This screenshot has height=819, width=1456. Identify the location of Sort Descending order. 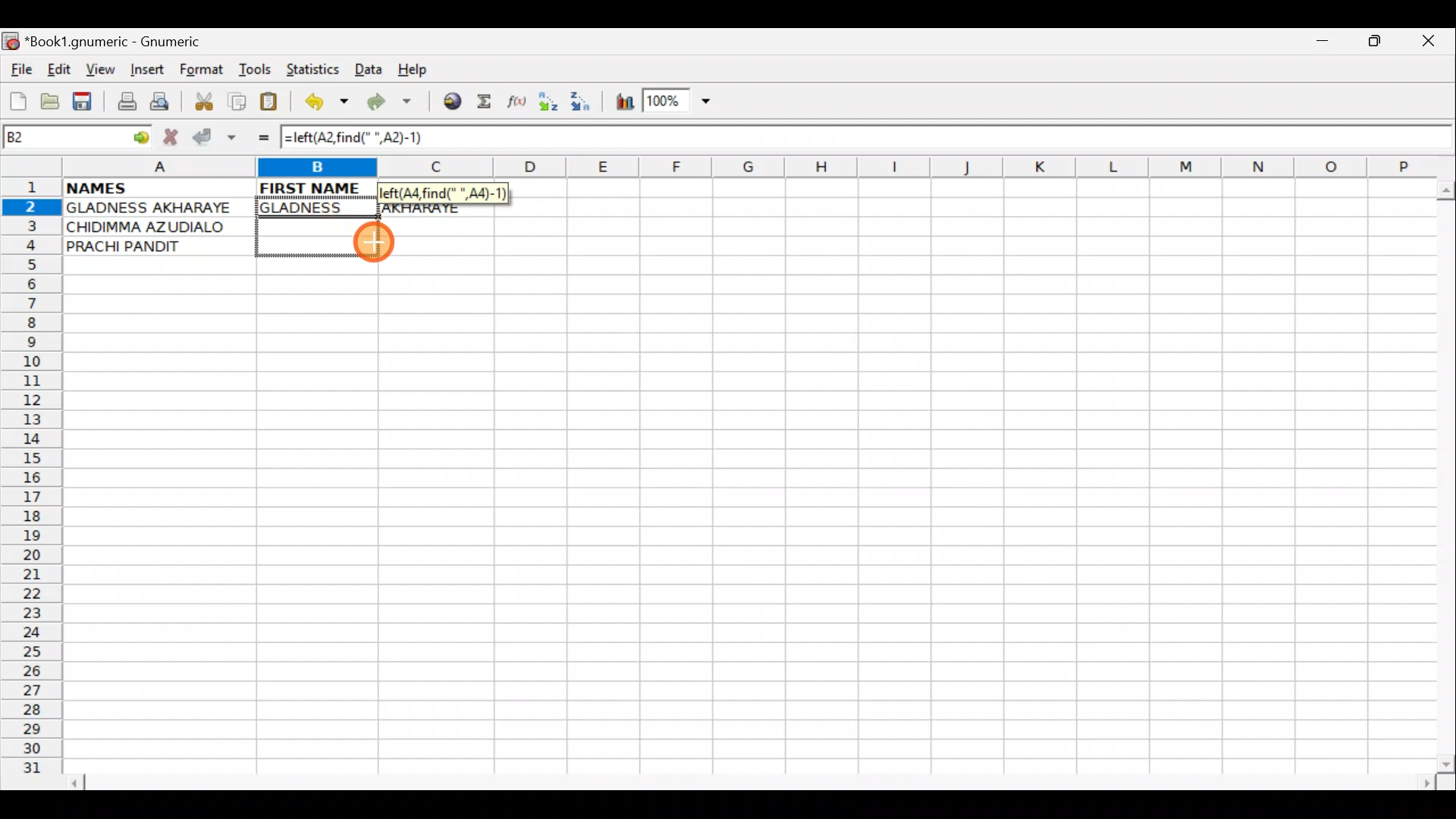
(585, 105).